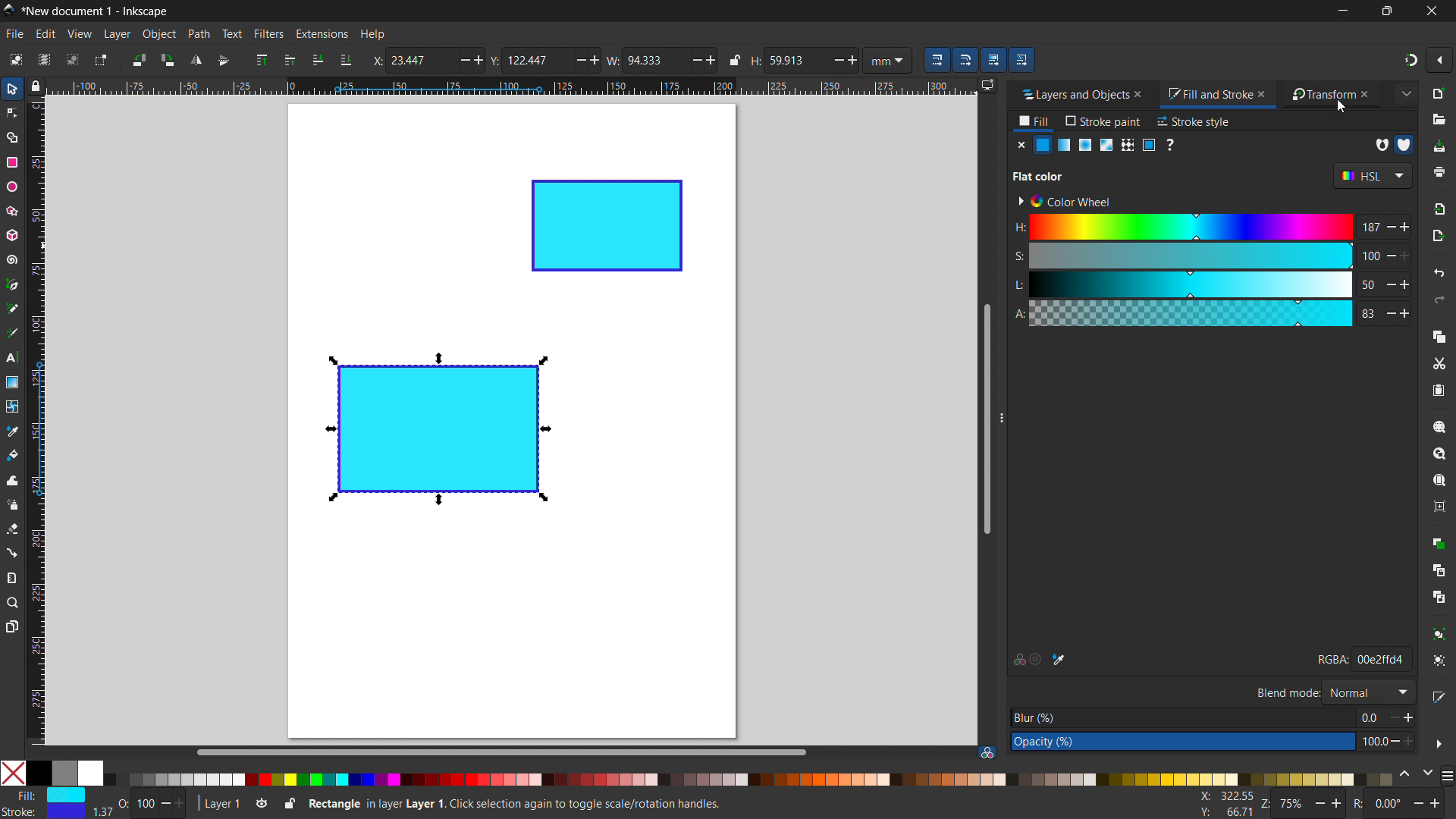  What do you see at coordinates (1439, 427) in the screenshot?
I see `zoom selection` at bounding box center [1439, 427].